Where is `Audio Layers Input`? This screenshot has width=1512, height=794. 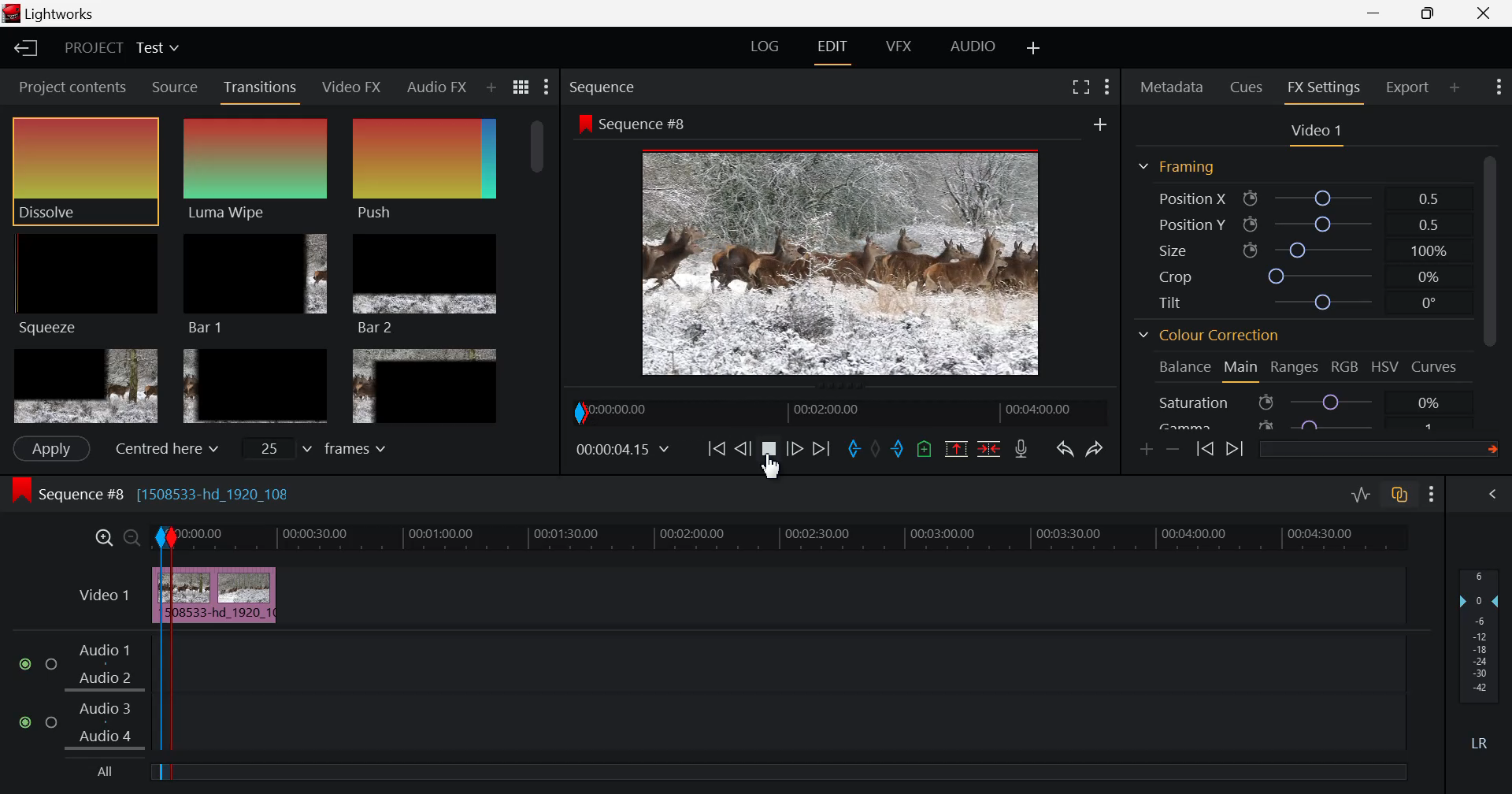 Audio Layers Input is located at coordinates (86, 695).